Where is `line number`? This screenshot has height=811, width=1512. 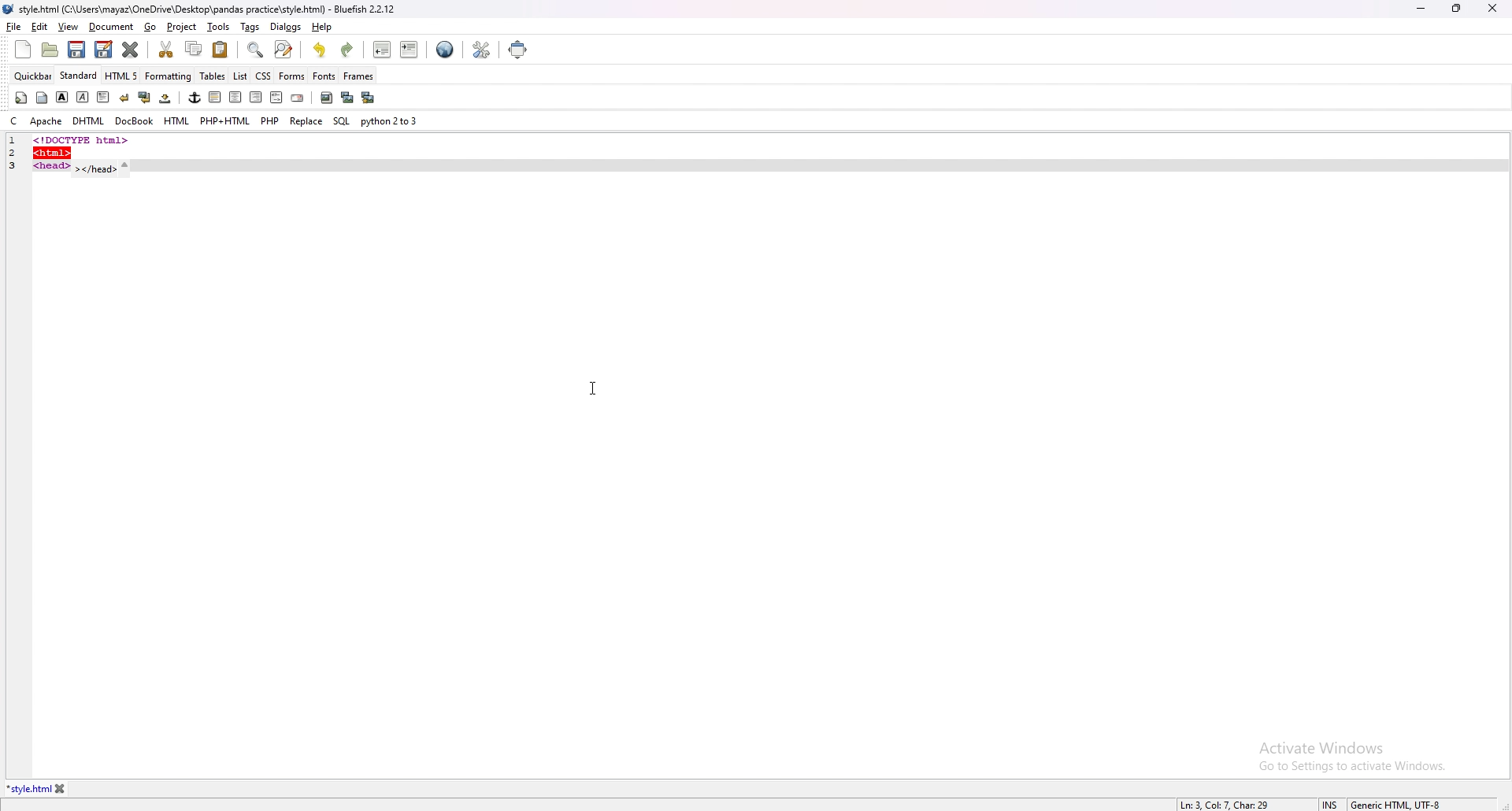
line number is located at coordinates (13, 141).